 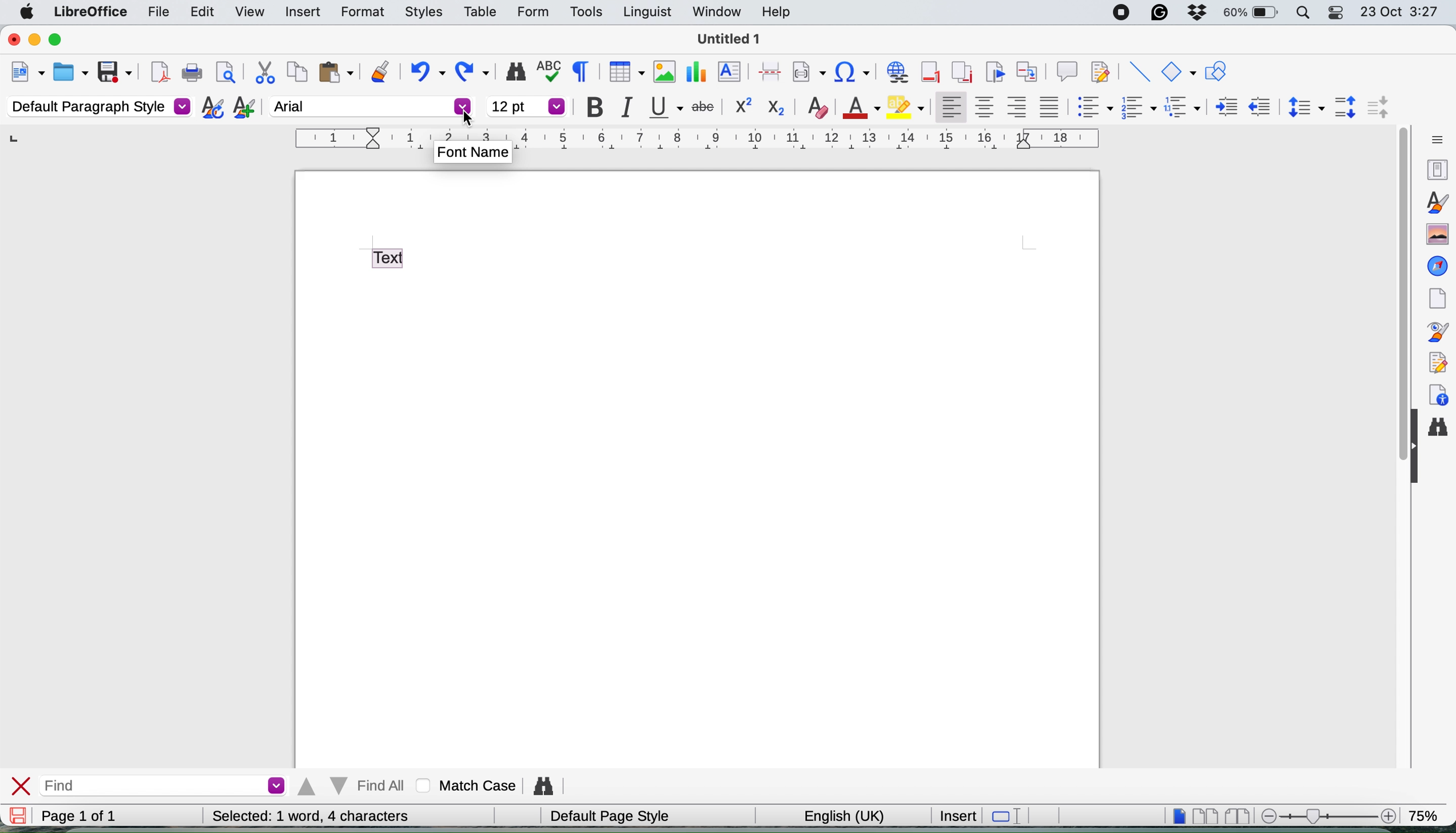 What do you see at coordinates (262, 73) in the screenshot?
I see `cut` at bounding box center [262, 73].